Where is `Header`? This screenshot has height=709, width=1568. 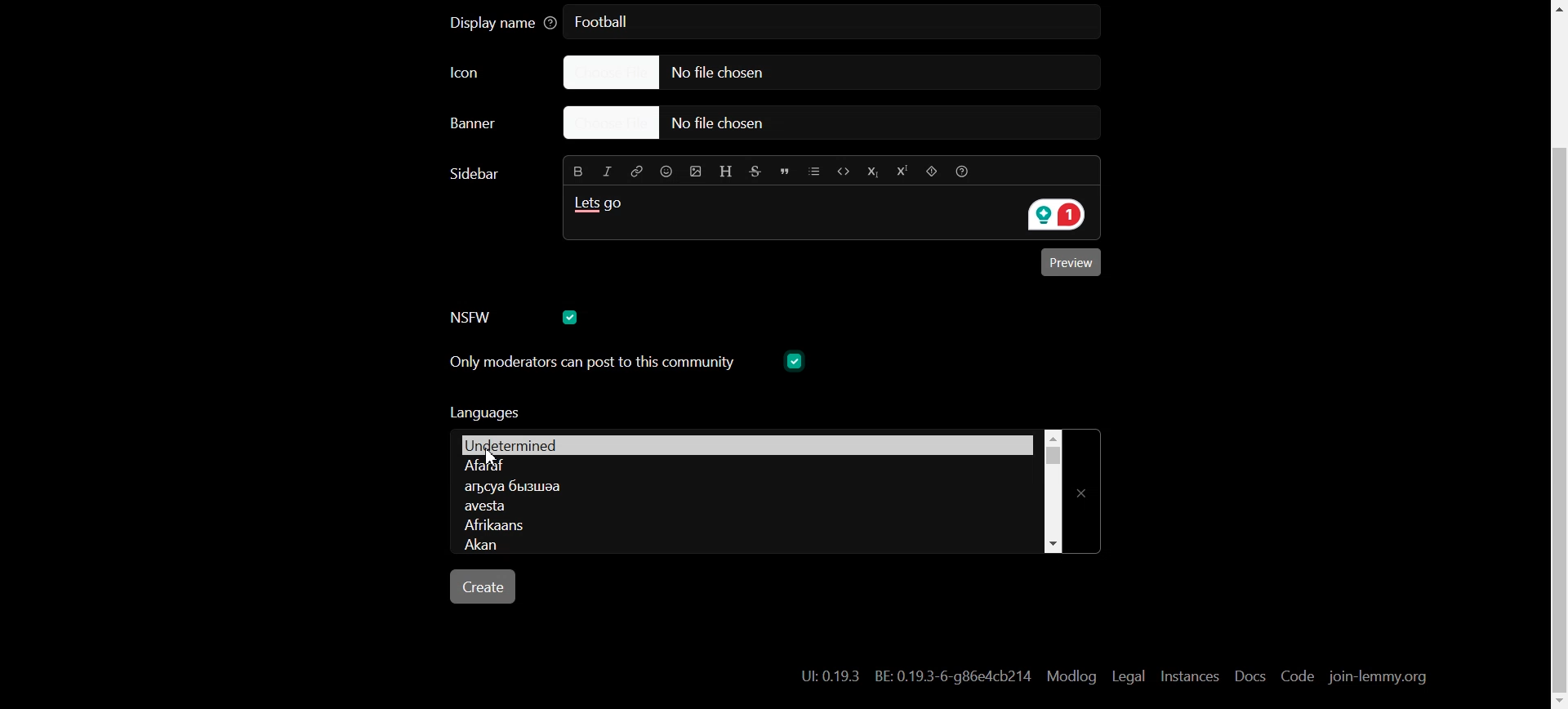
Header is located at coordinates (726, 169).